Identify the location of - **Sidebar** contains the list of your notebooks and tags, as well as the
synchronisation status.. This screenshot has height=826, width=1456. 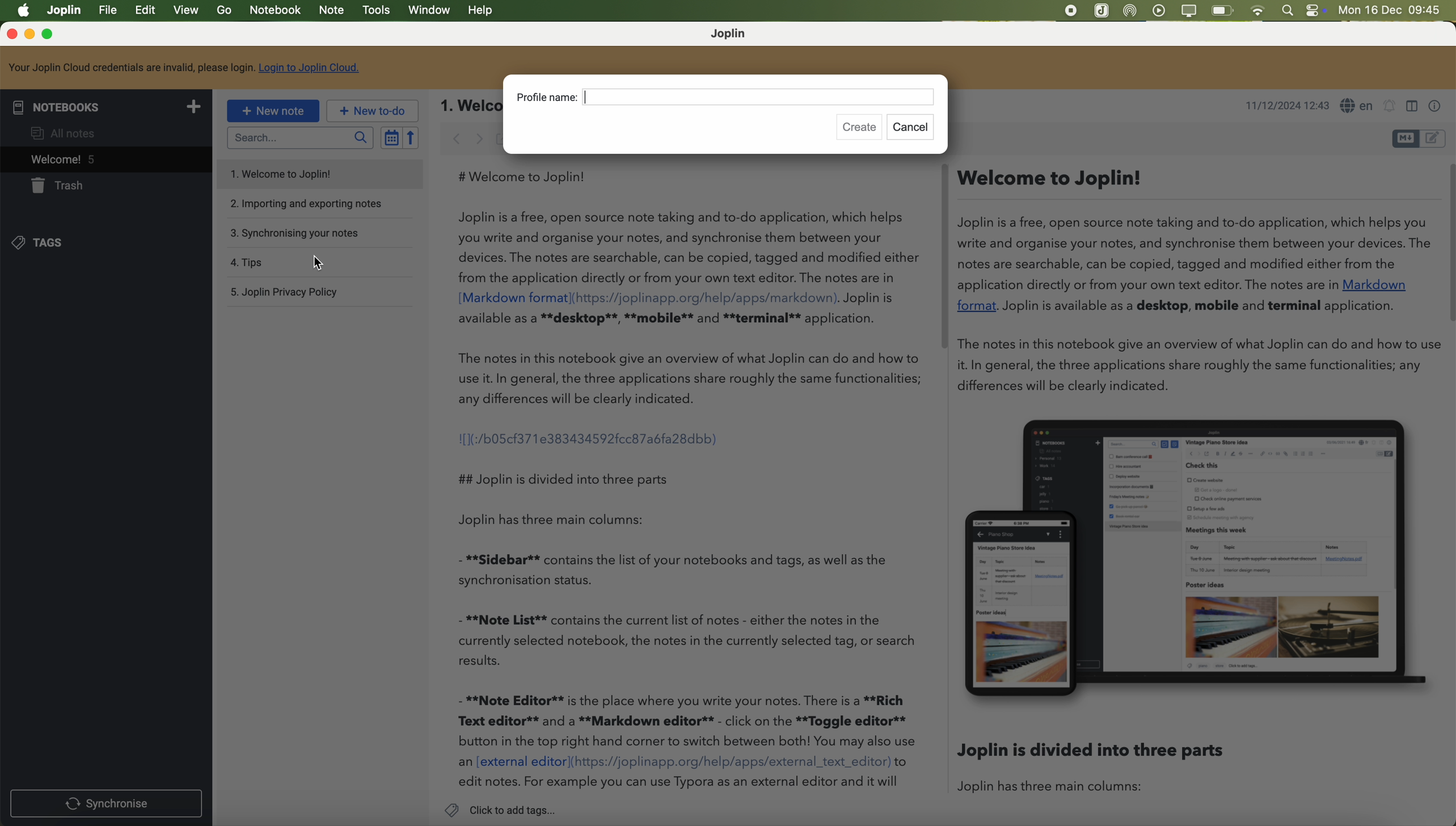
(680, 569).